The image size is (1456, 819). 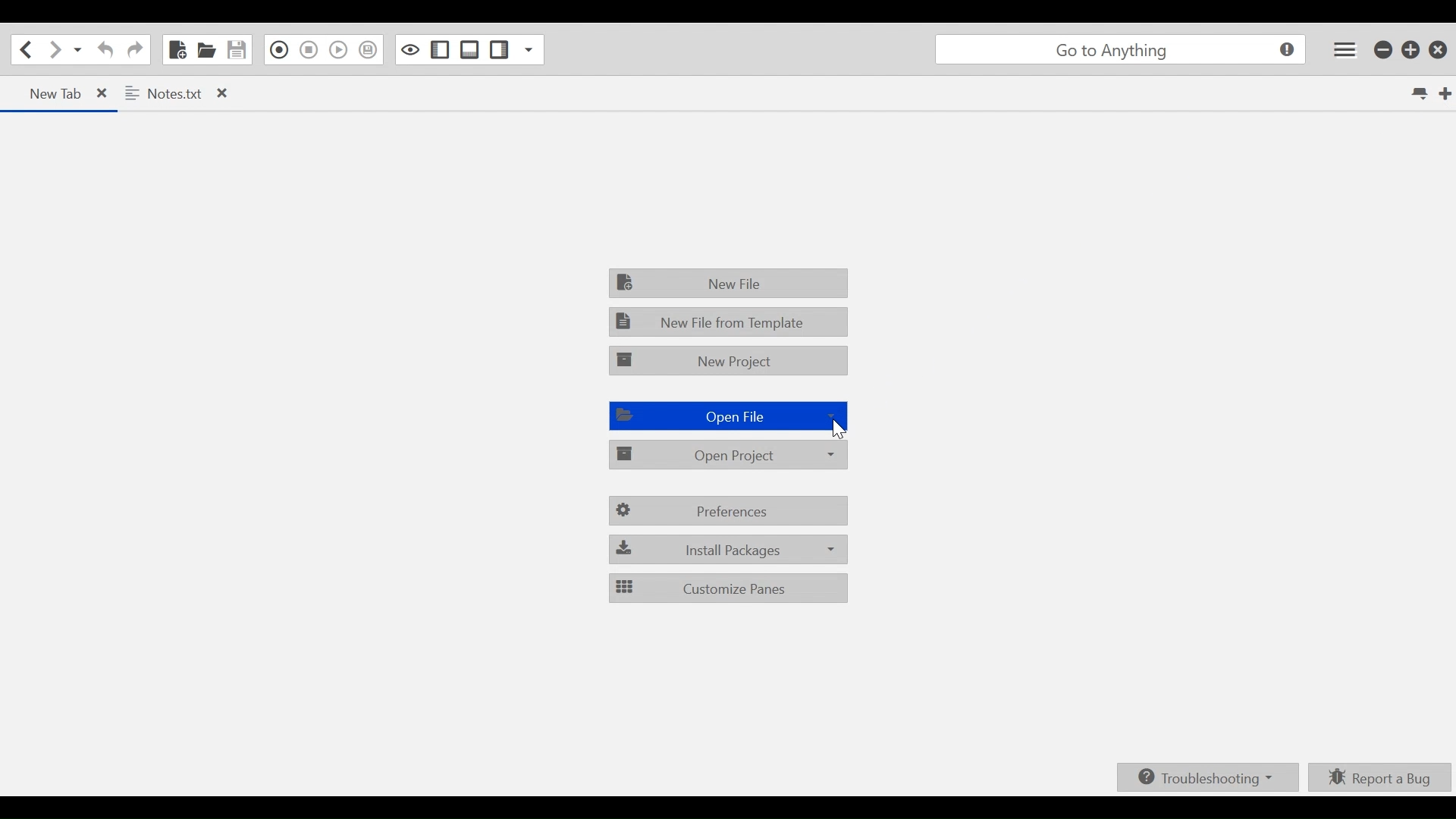 I want to click on List all tabs, so click(x=1418, y=93).